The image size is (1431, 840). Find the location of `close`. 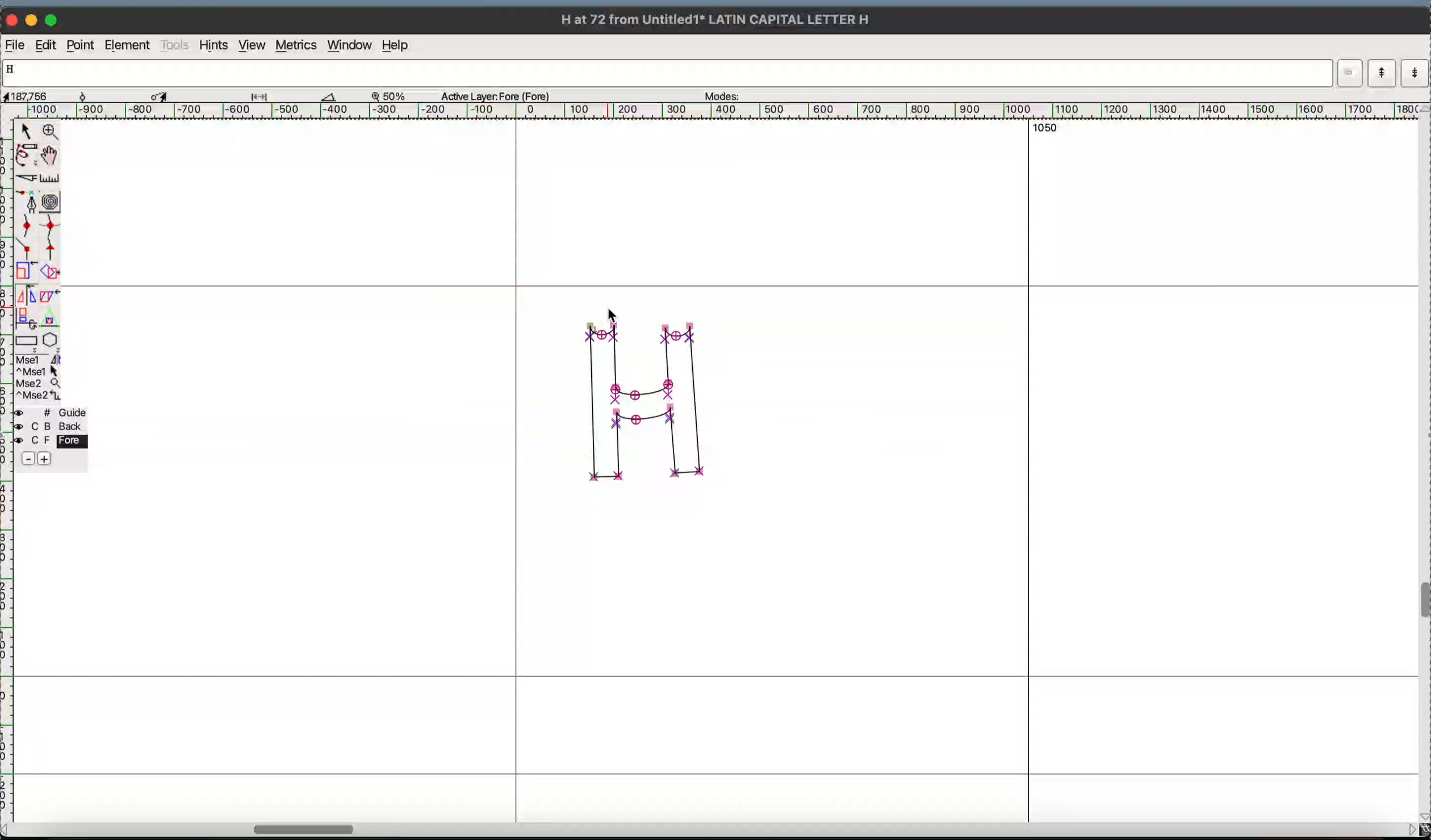

close is located at coordinates (12, 18).